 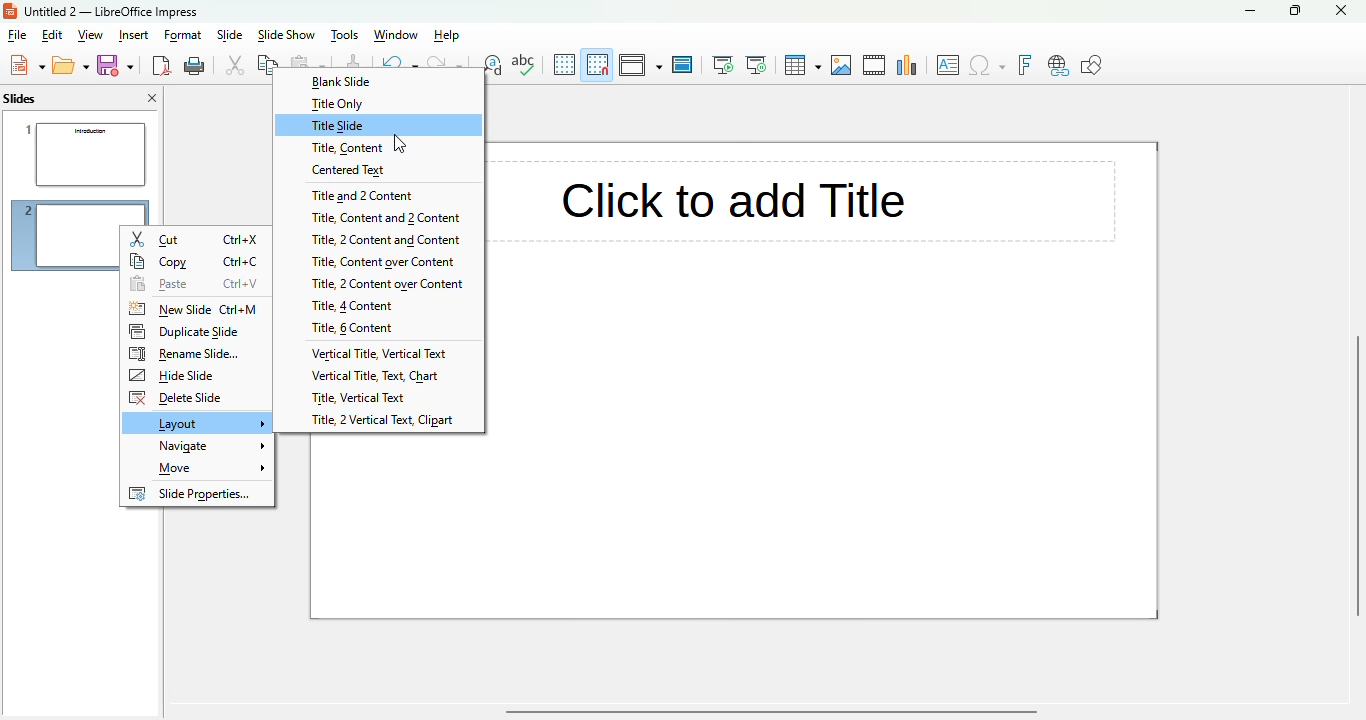 I want to click on title, 2 content over content, so click(x=378, y=283).